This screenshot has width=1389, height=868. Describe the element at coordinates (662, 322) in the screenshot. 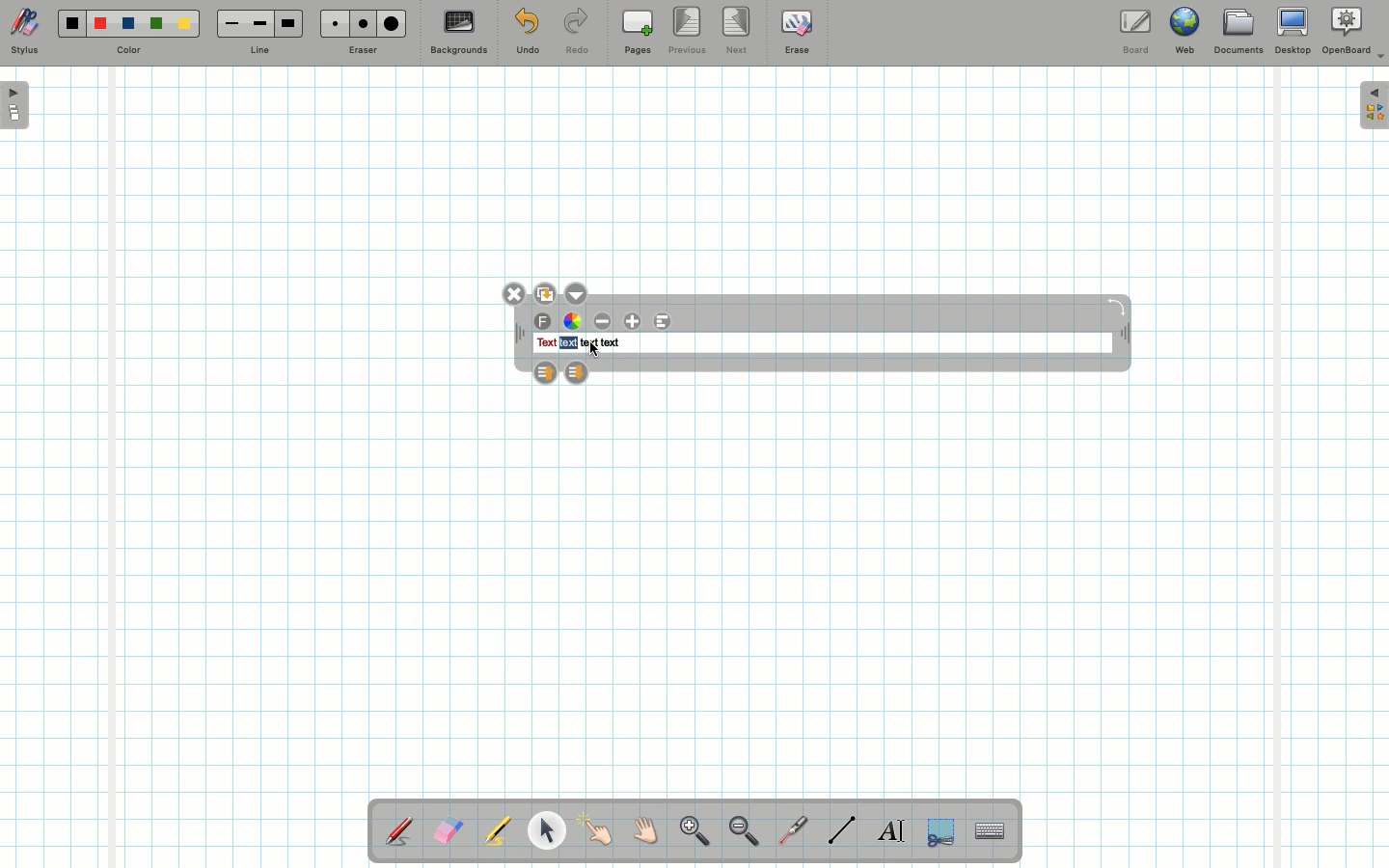

I see `Alignment` at that location.